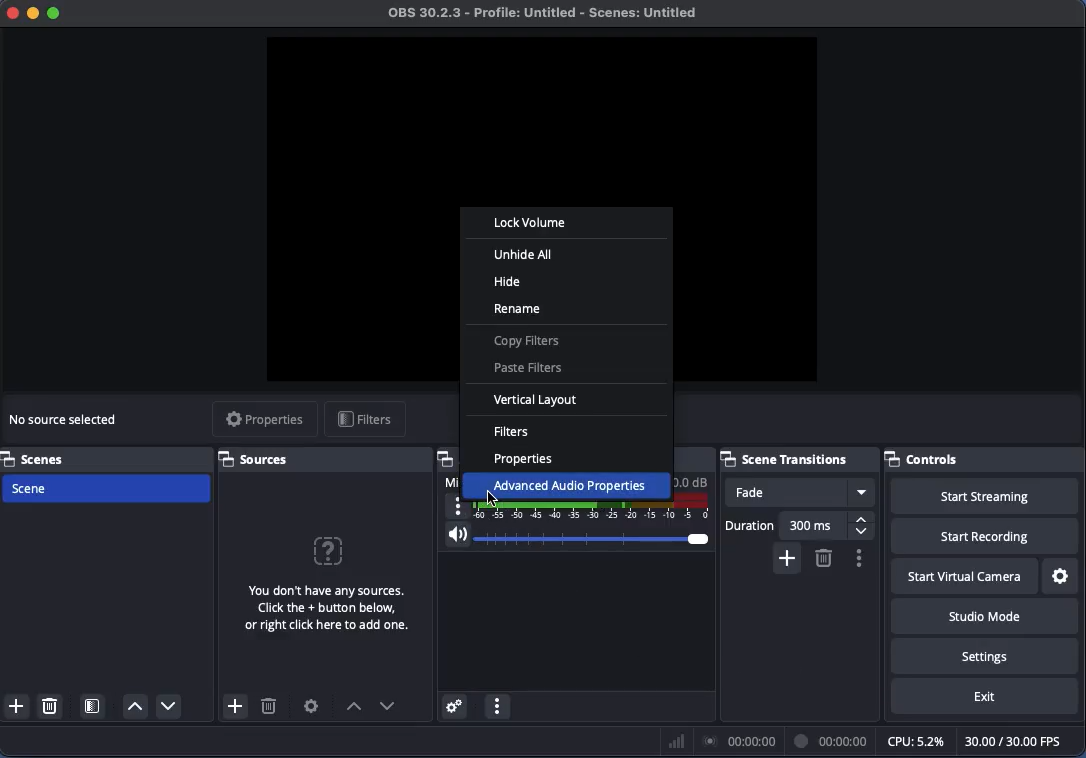  Describe the element at coordinates (17, 706) in the screenshot. I see `Add scenes` at that location.